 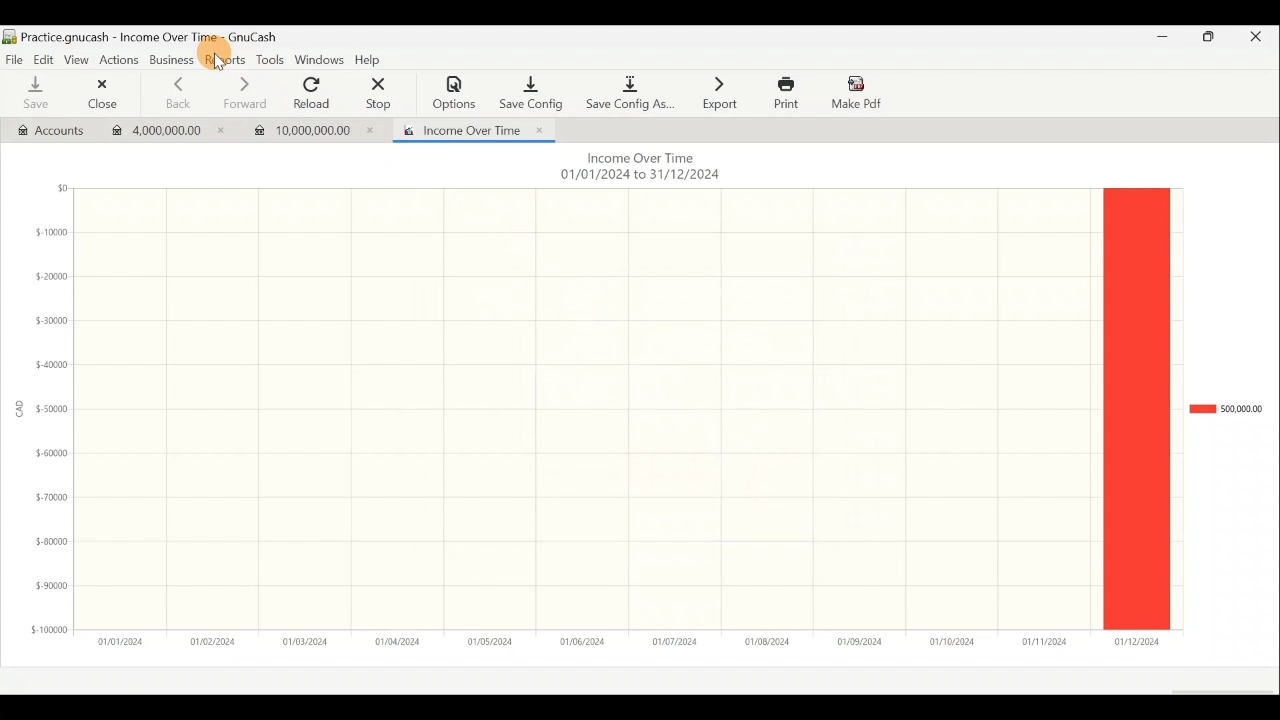 I want to click on Reload, so click(x=316, y=93).